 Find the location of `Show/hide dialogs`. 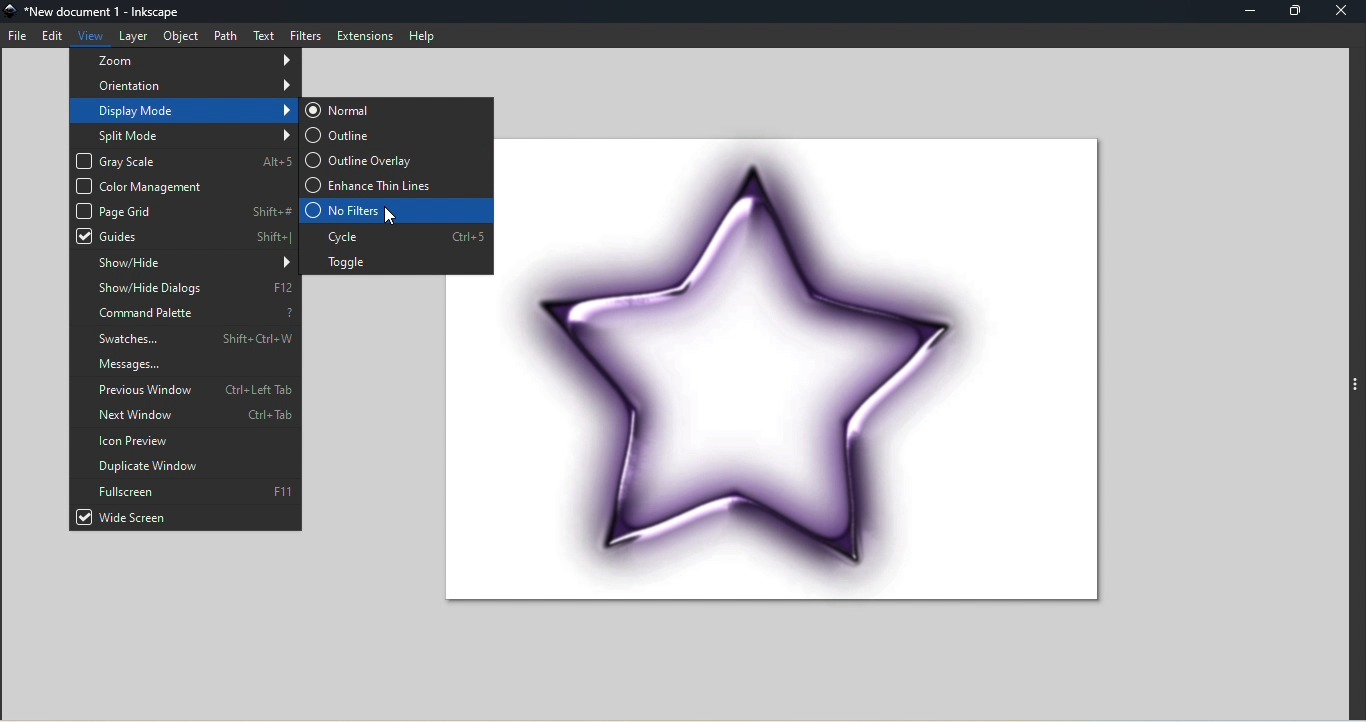

Show/hide dialogs is located at coordinates (185, 288).